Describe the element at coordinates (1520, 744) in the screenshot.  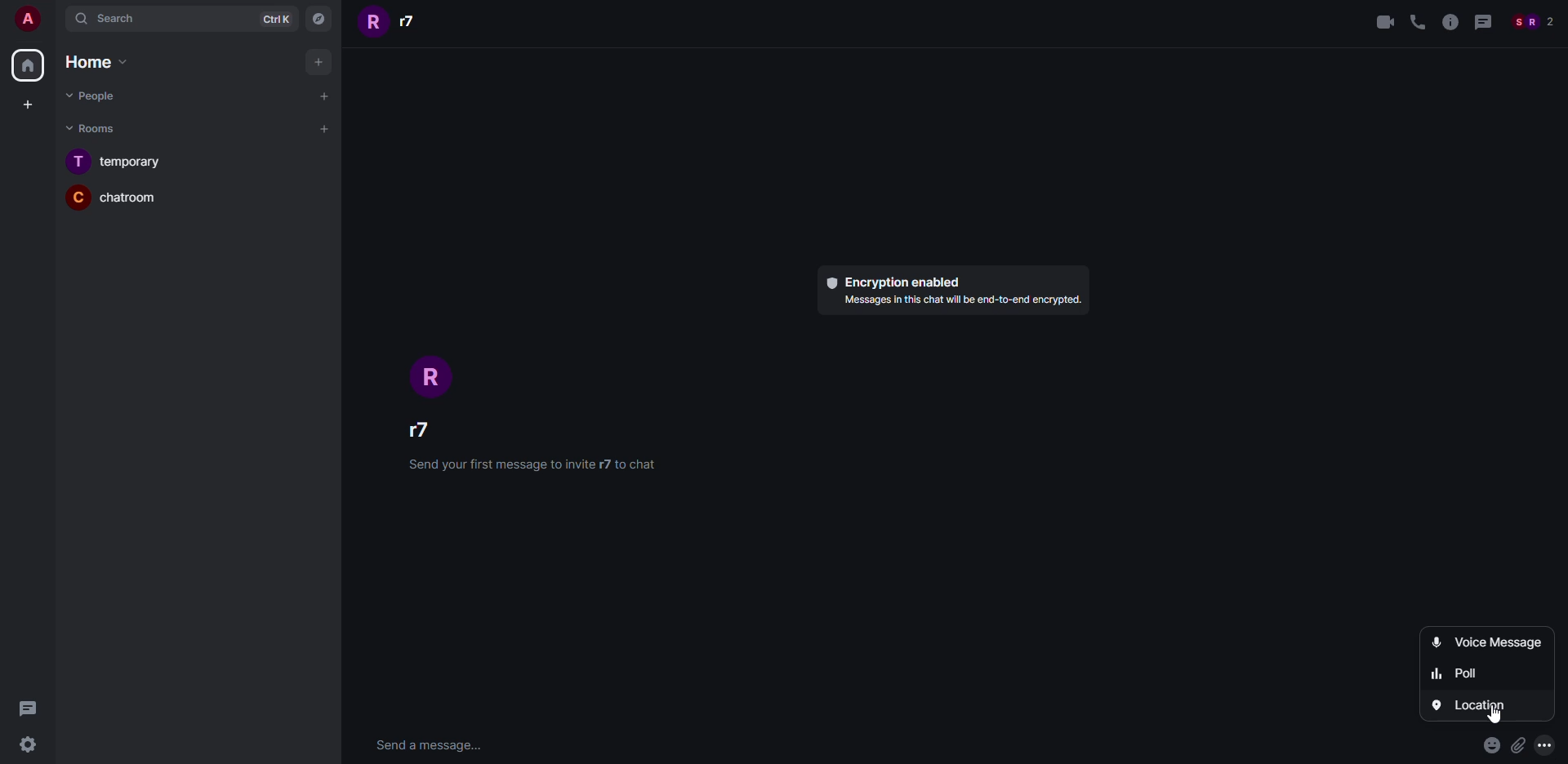
I see `attachment` at that location.